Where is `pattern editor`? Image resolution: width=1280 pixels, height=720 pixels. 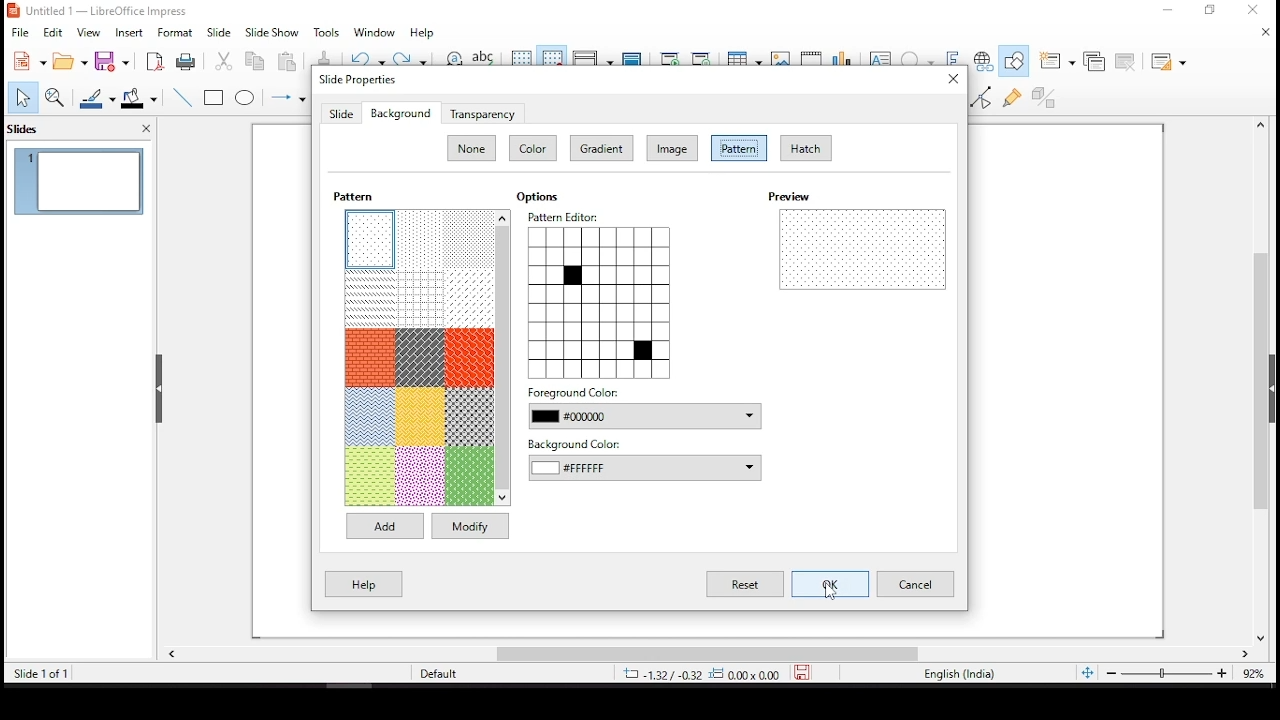
pattern editor is located at coordinates (604, 295).